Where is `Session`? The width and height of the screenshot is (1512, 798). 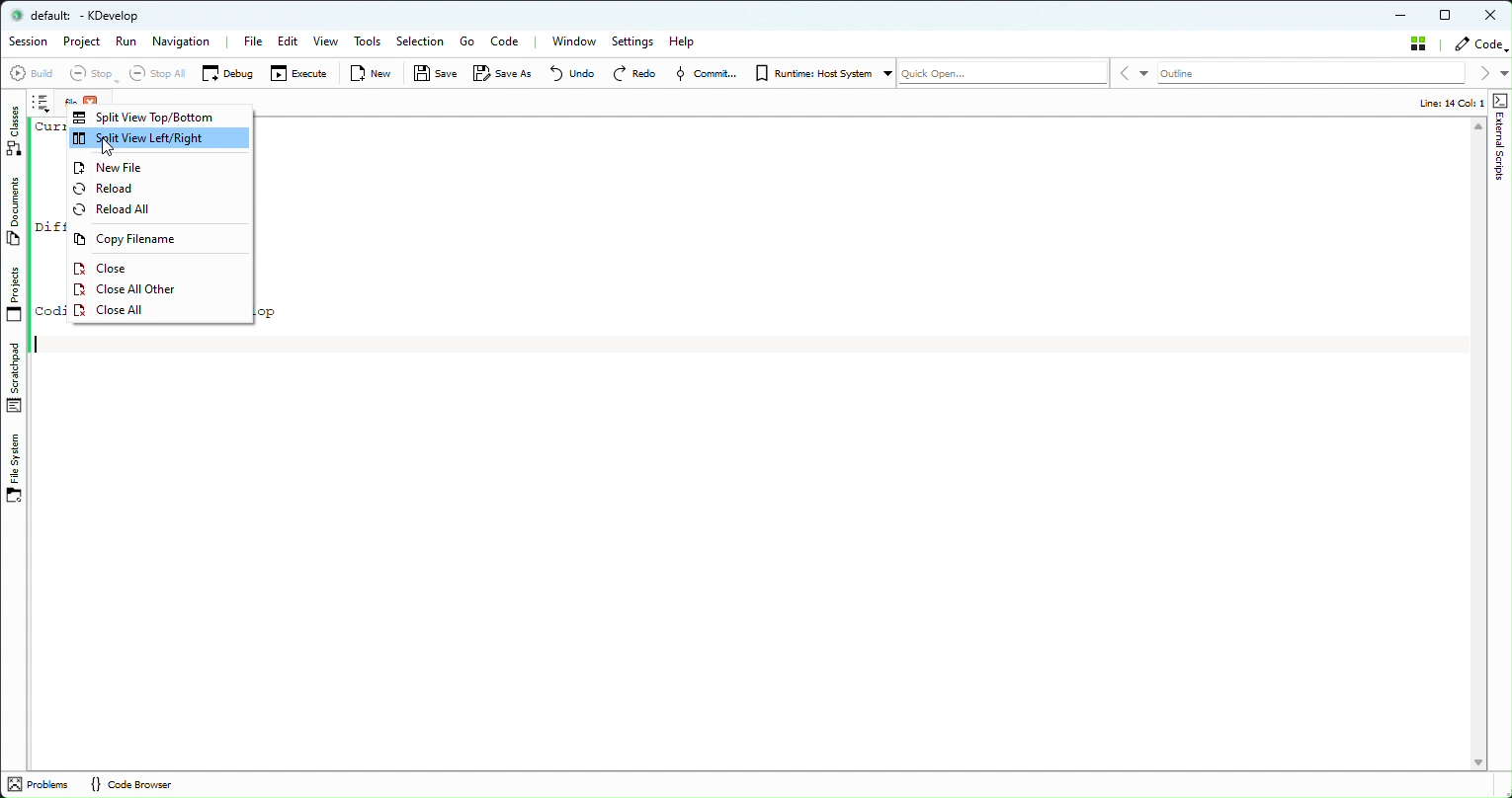
Session is located at coordinates (30, 42).